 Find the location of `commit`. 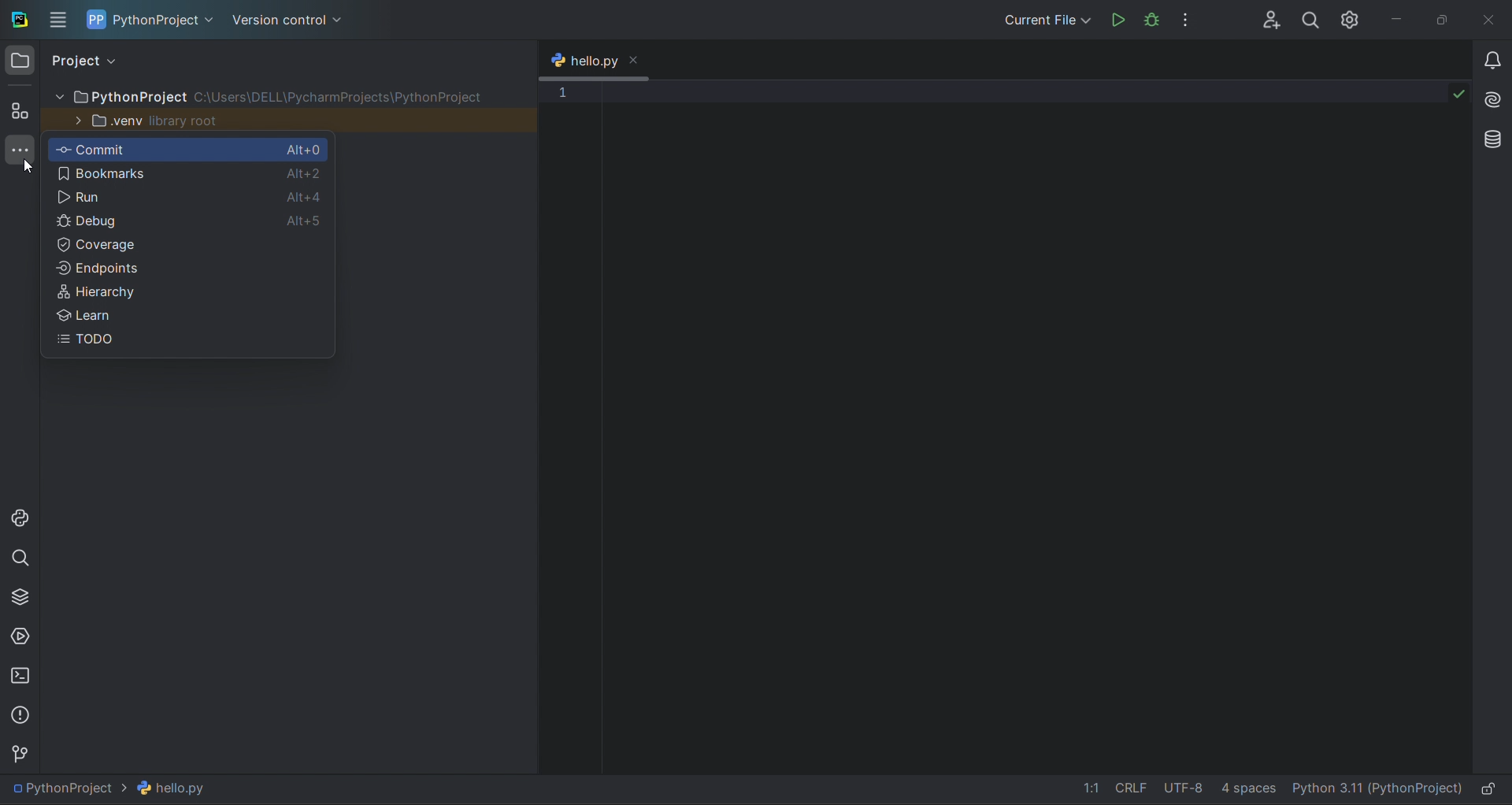

commit is located at coordinates (155, 148).